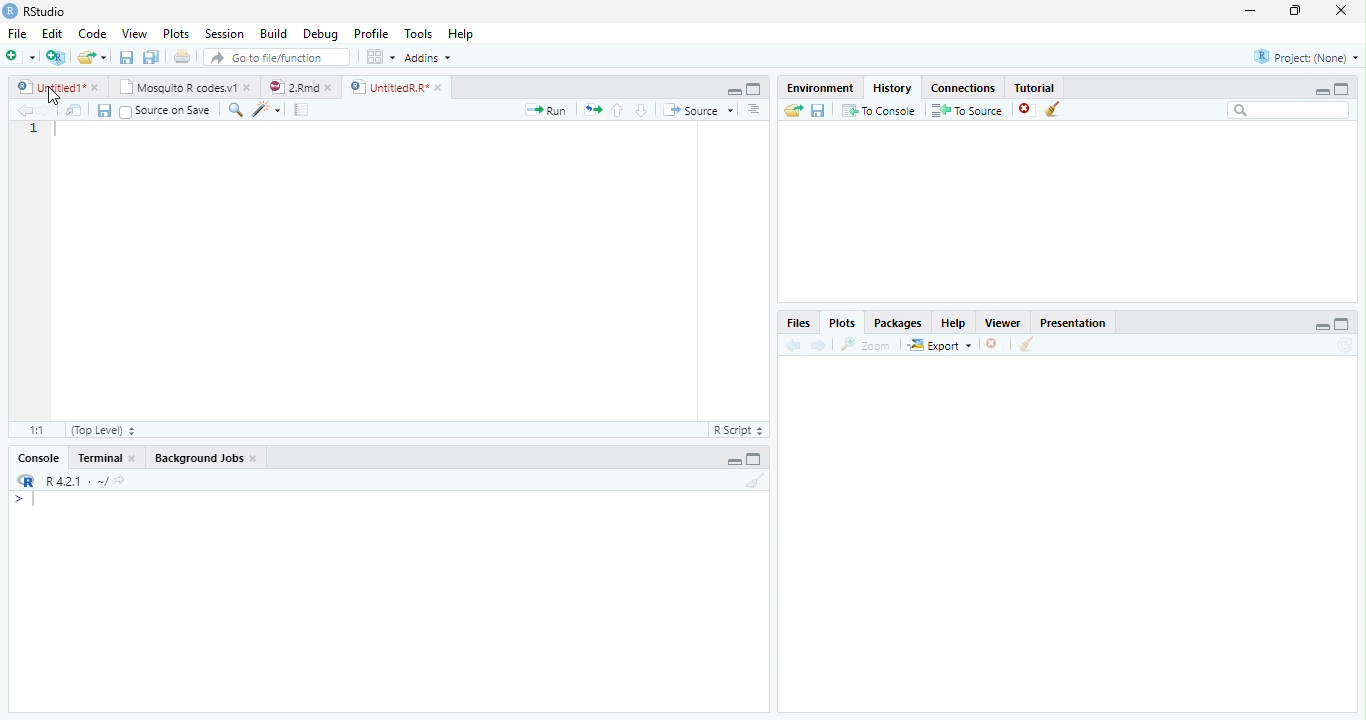  What do you see at coordinates (178, 32) in the screenshot?
I see `Plots` at bounding box center [178, 32].